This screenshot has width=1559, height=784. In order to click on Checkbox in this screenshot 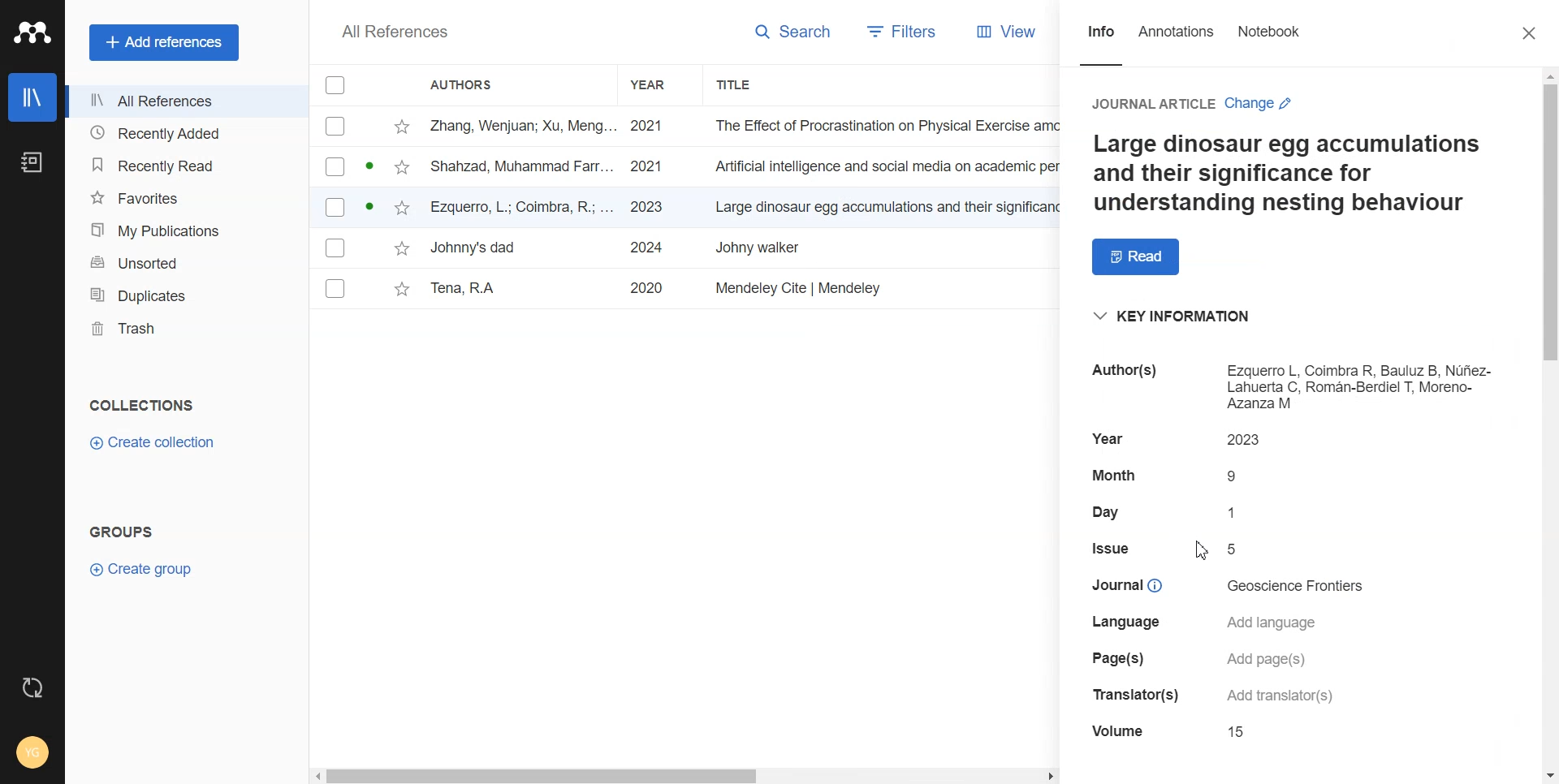, I will do `click(337, 85)`.